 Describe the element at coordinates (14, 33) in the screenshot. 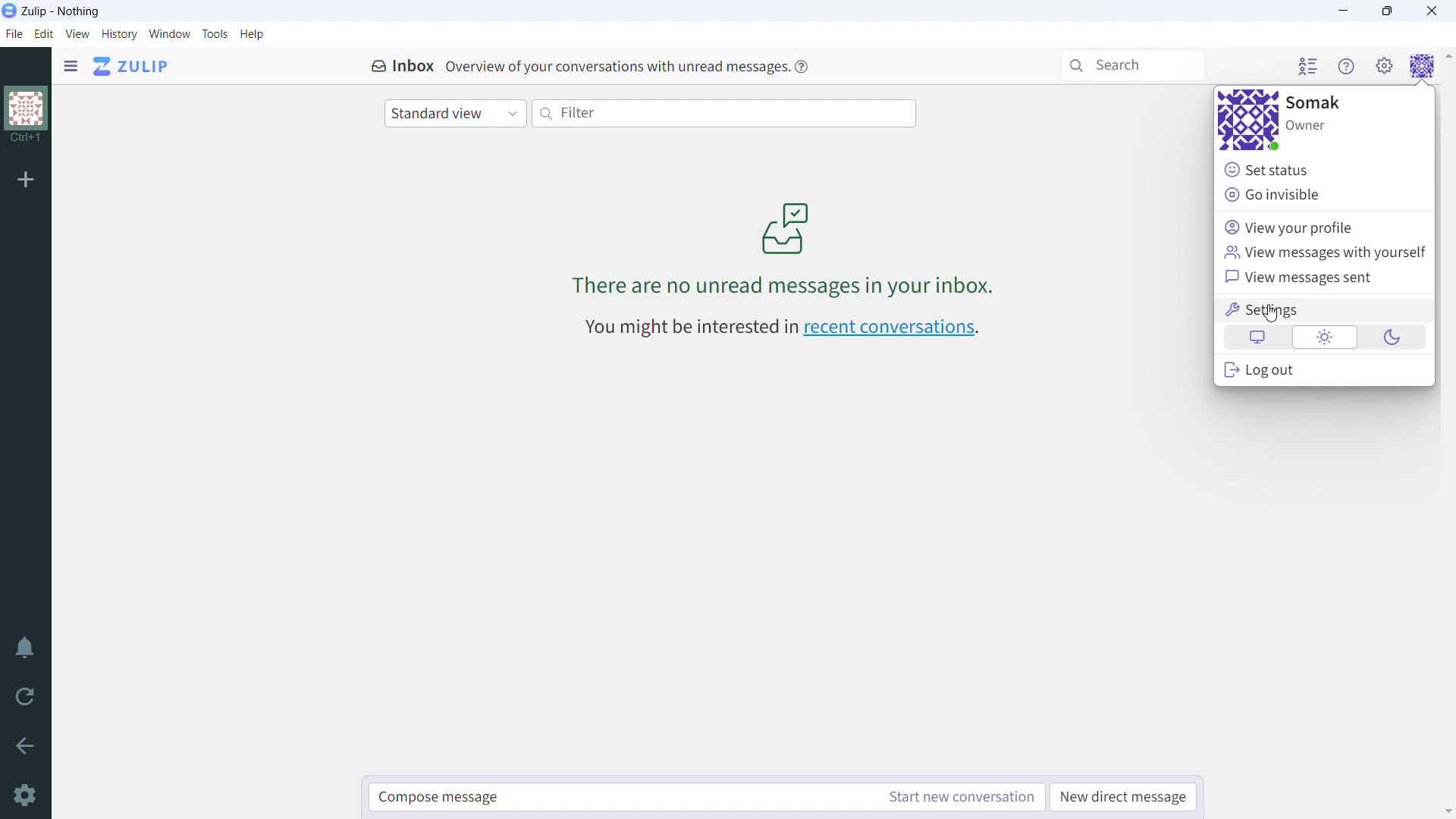

I see `file` at that location.